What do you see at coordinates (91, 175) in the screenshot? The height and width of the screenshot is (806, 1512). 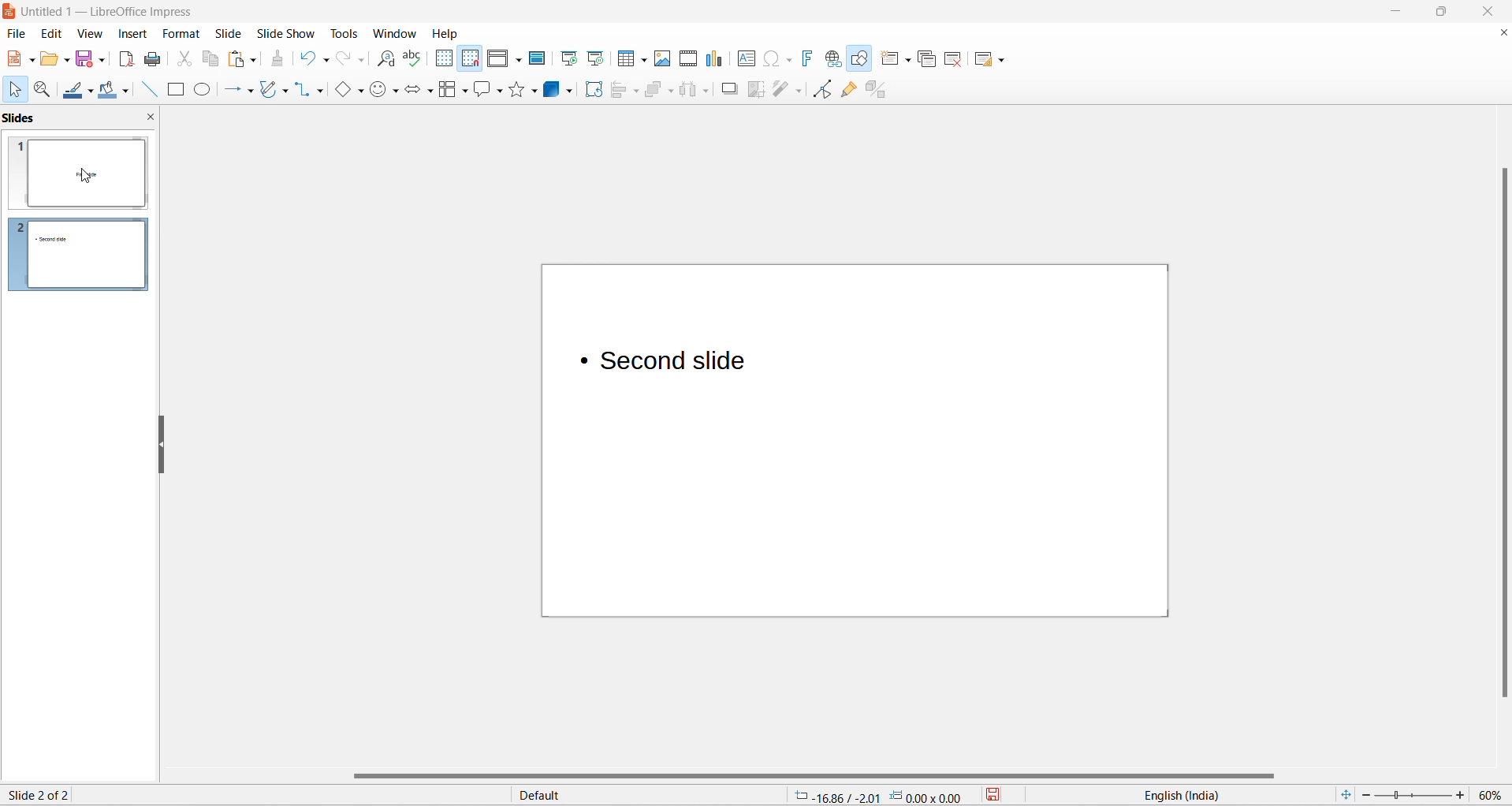 I see `cursor` at bounding box center [91, 175].